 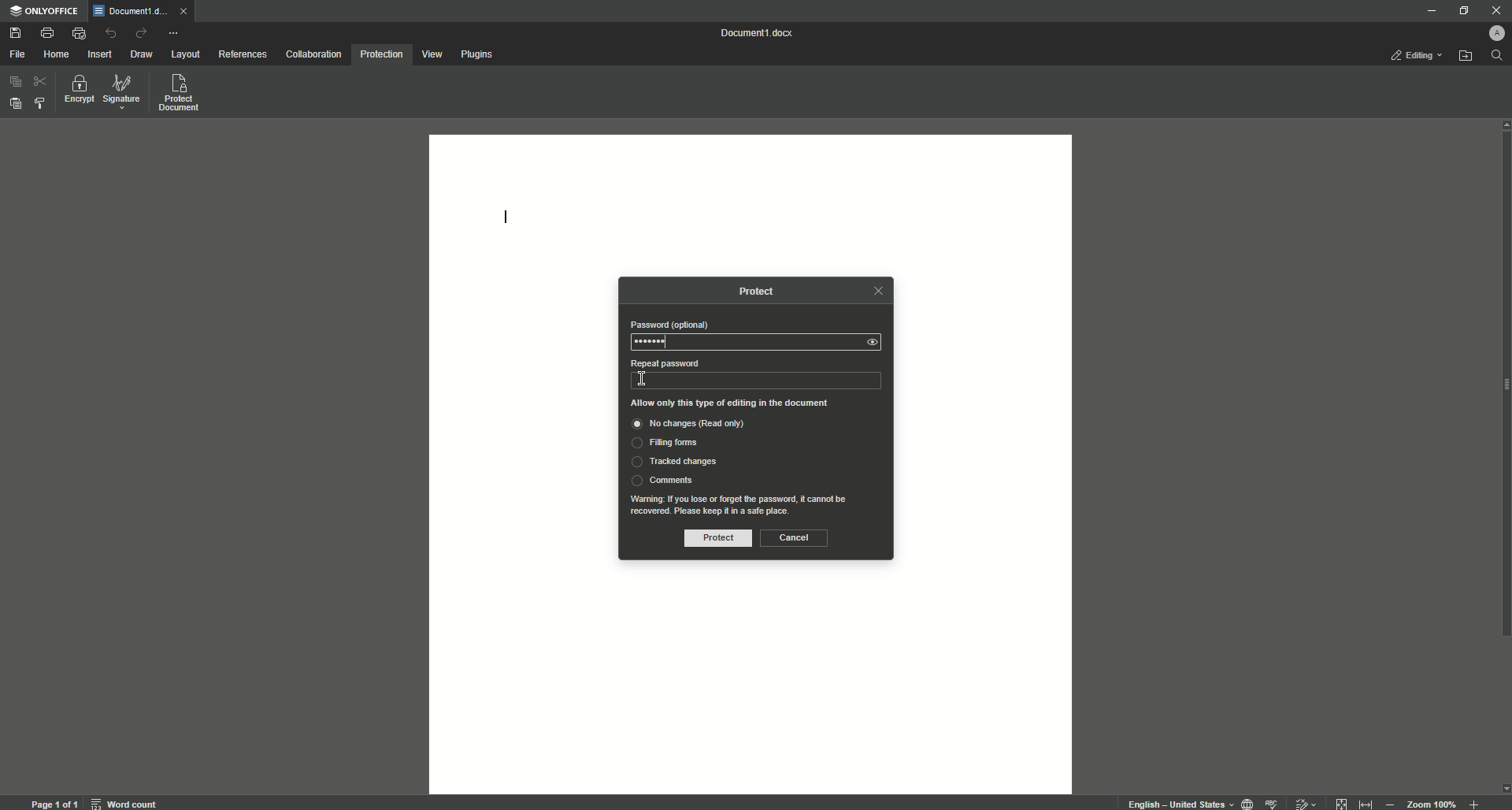 What do you see at coordinates (39, 105) in the screenshot?
I see `Select styles` at bounding box center [39, 105].